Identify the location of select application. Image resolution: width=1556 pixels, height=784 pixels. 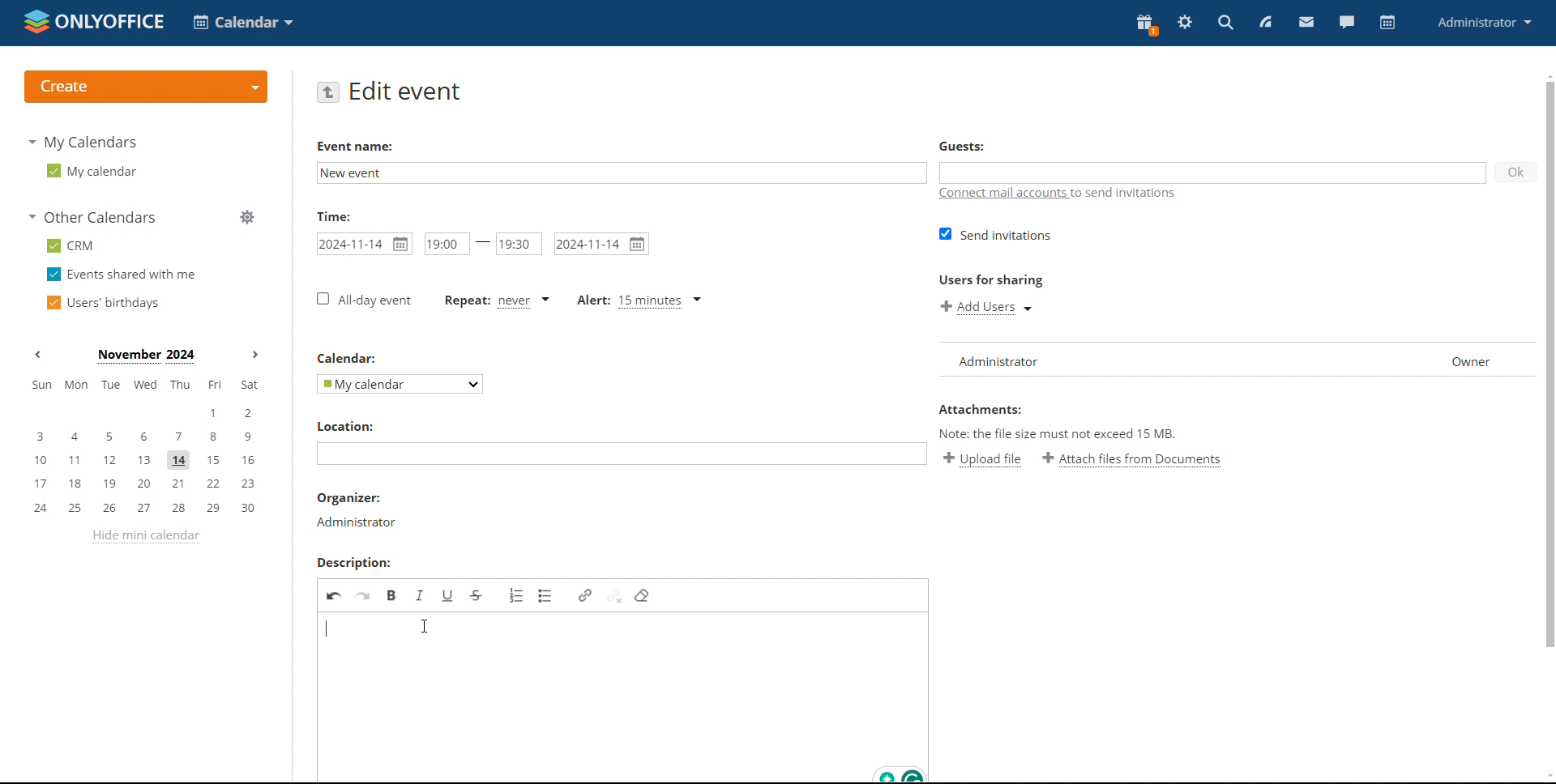
(245, 21).